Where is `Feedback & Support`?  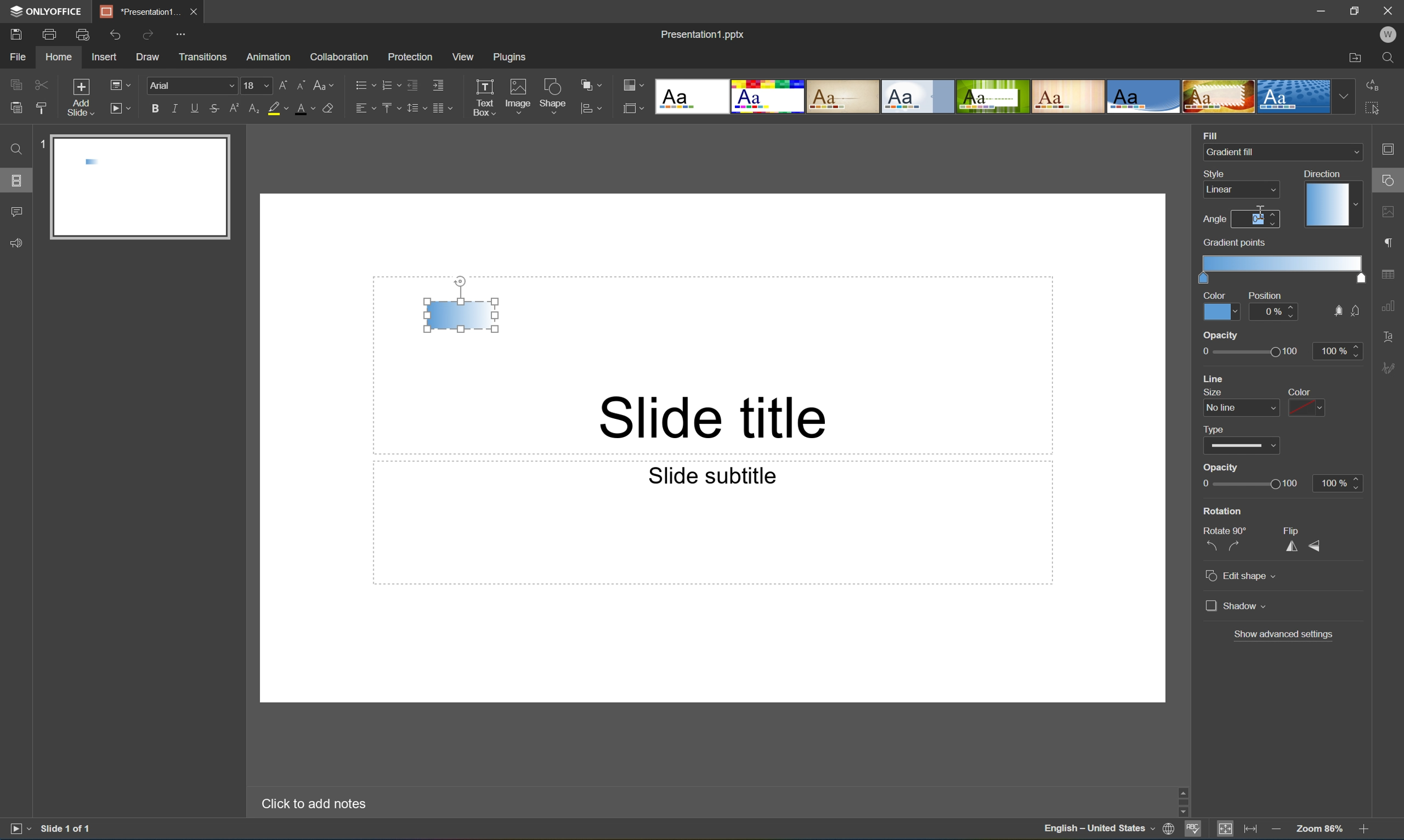 Feedback & Support is located at coordinates (18, 242).